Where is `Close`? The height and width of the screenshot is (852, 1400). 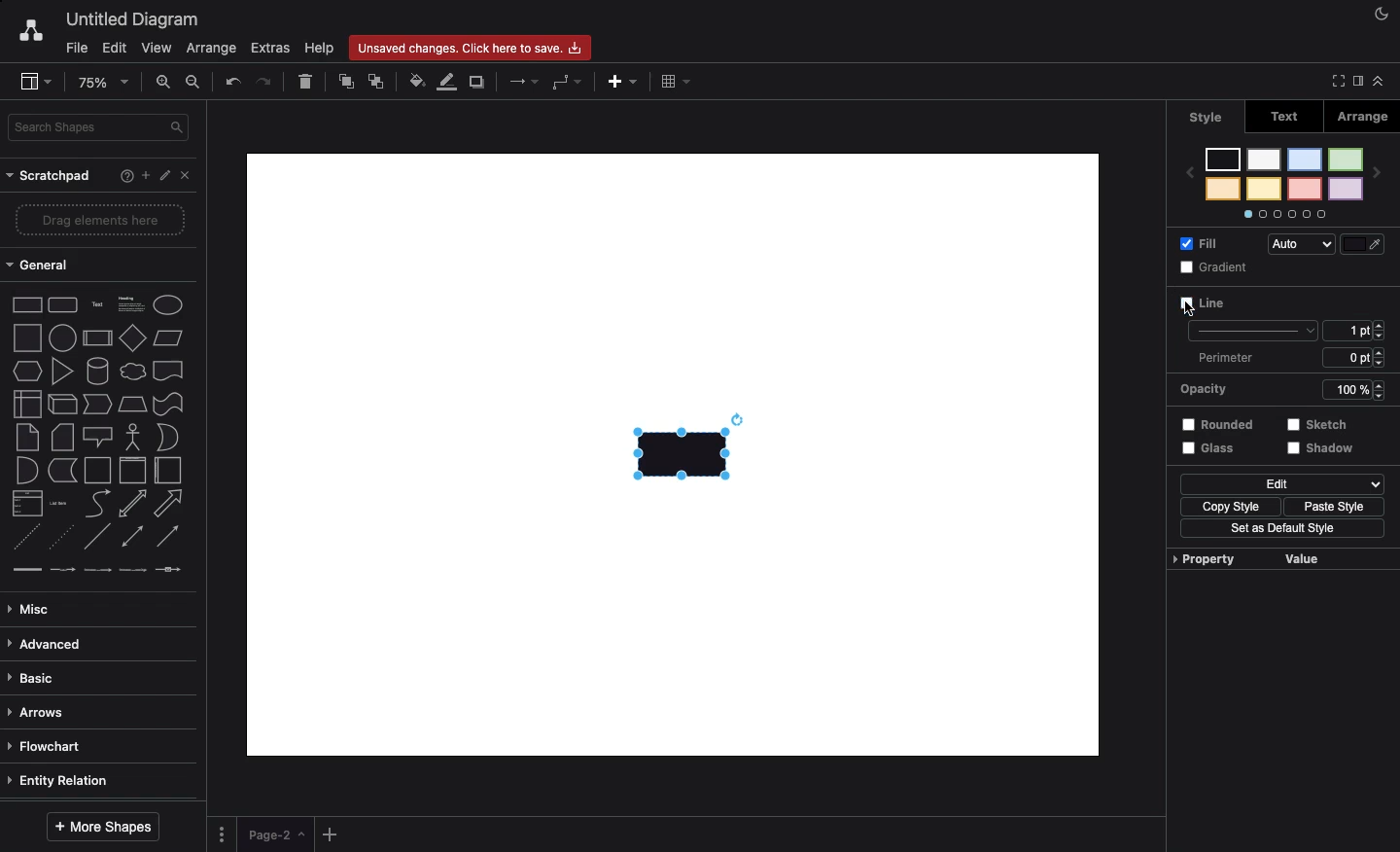 Close is located at coordinates (184, 178).